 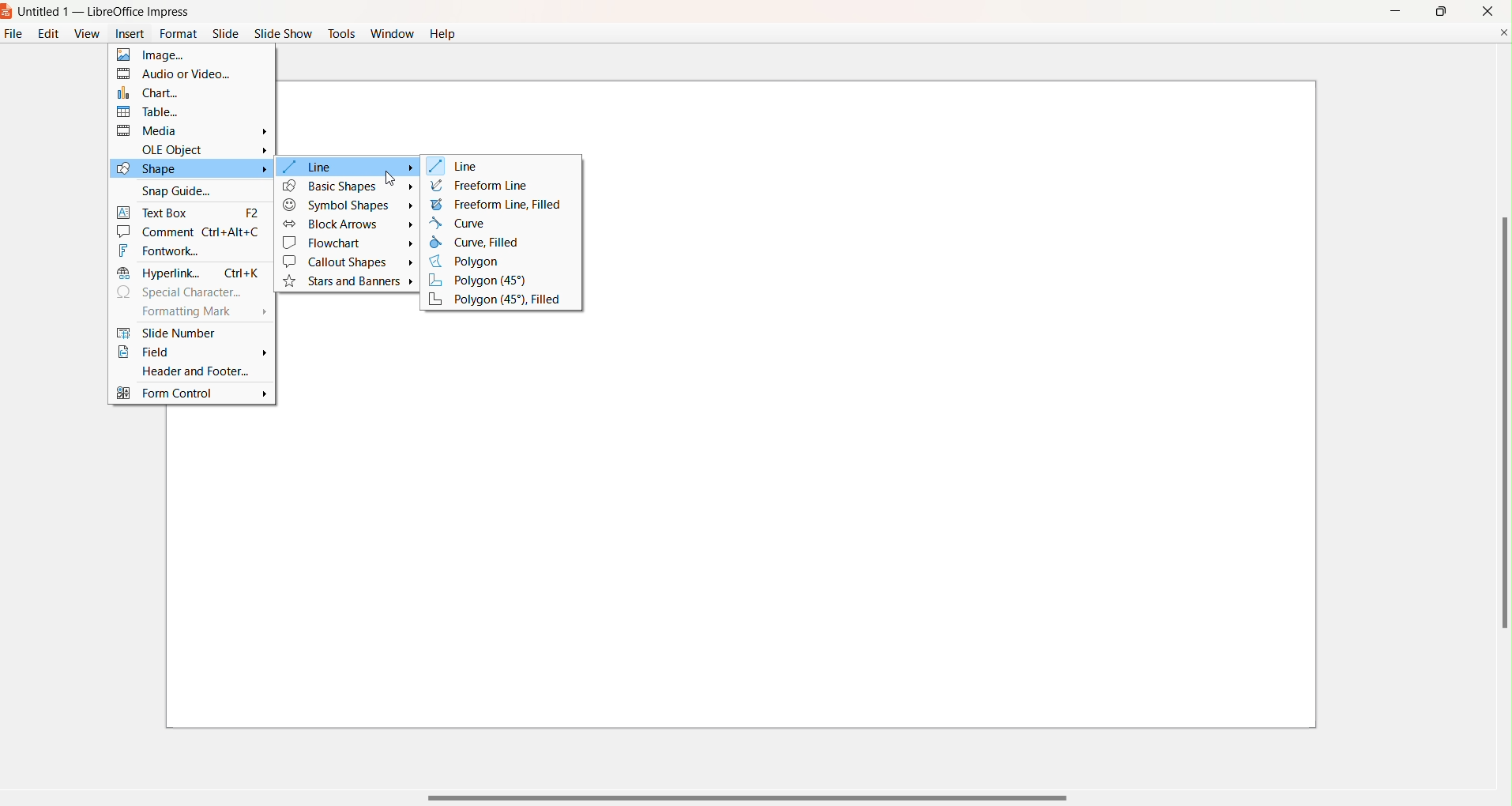 What do you see at coordinates (203, 148) in the screenshot?
I see `OLE Object` at bounding box center [203, 148].